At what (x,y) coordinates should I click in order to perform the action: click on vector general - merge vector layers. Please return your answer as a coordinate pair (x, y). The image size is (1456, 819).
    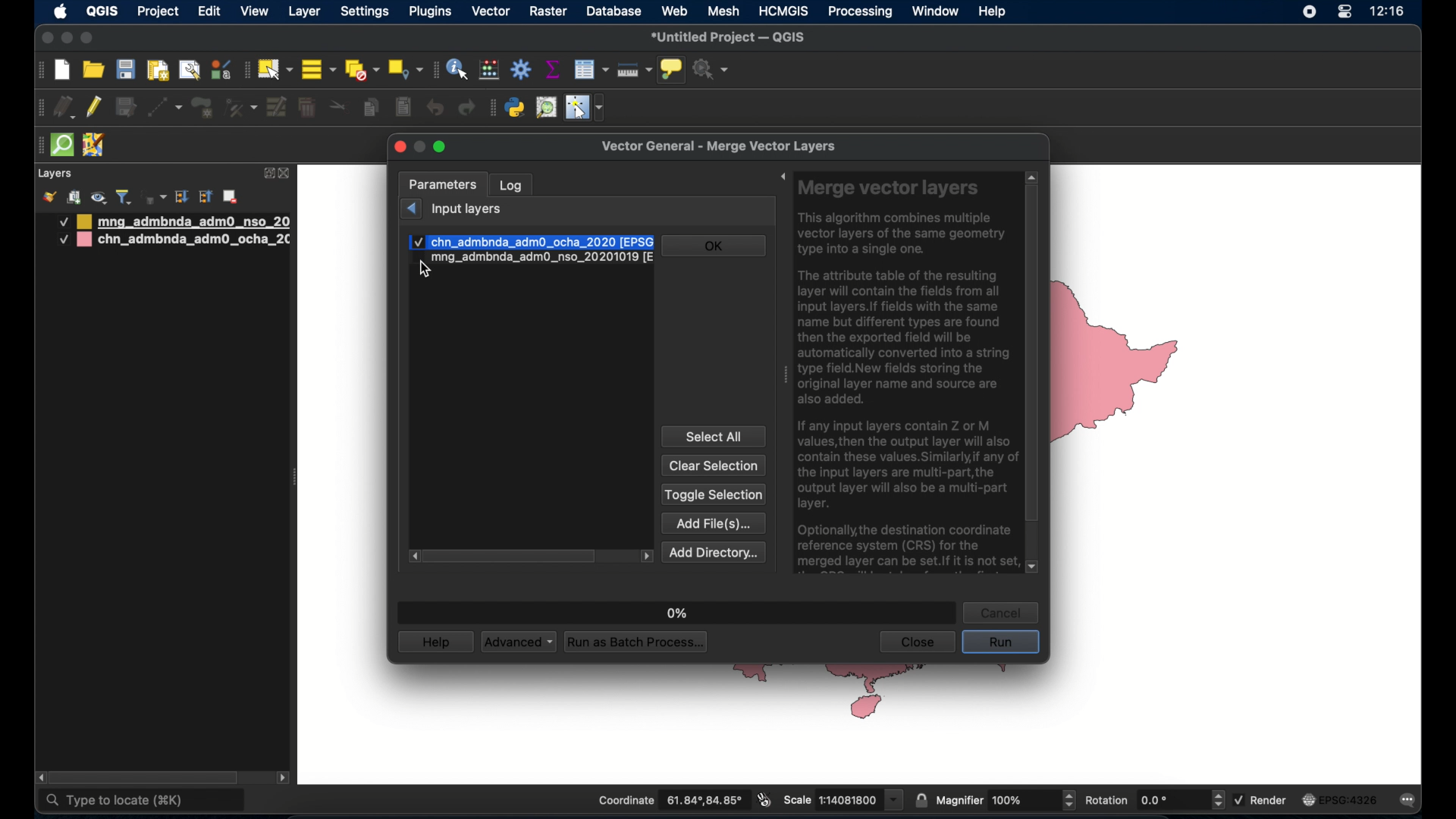
    Looking at the image, I should click on (723, 146).